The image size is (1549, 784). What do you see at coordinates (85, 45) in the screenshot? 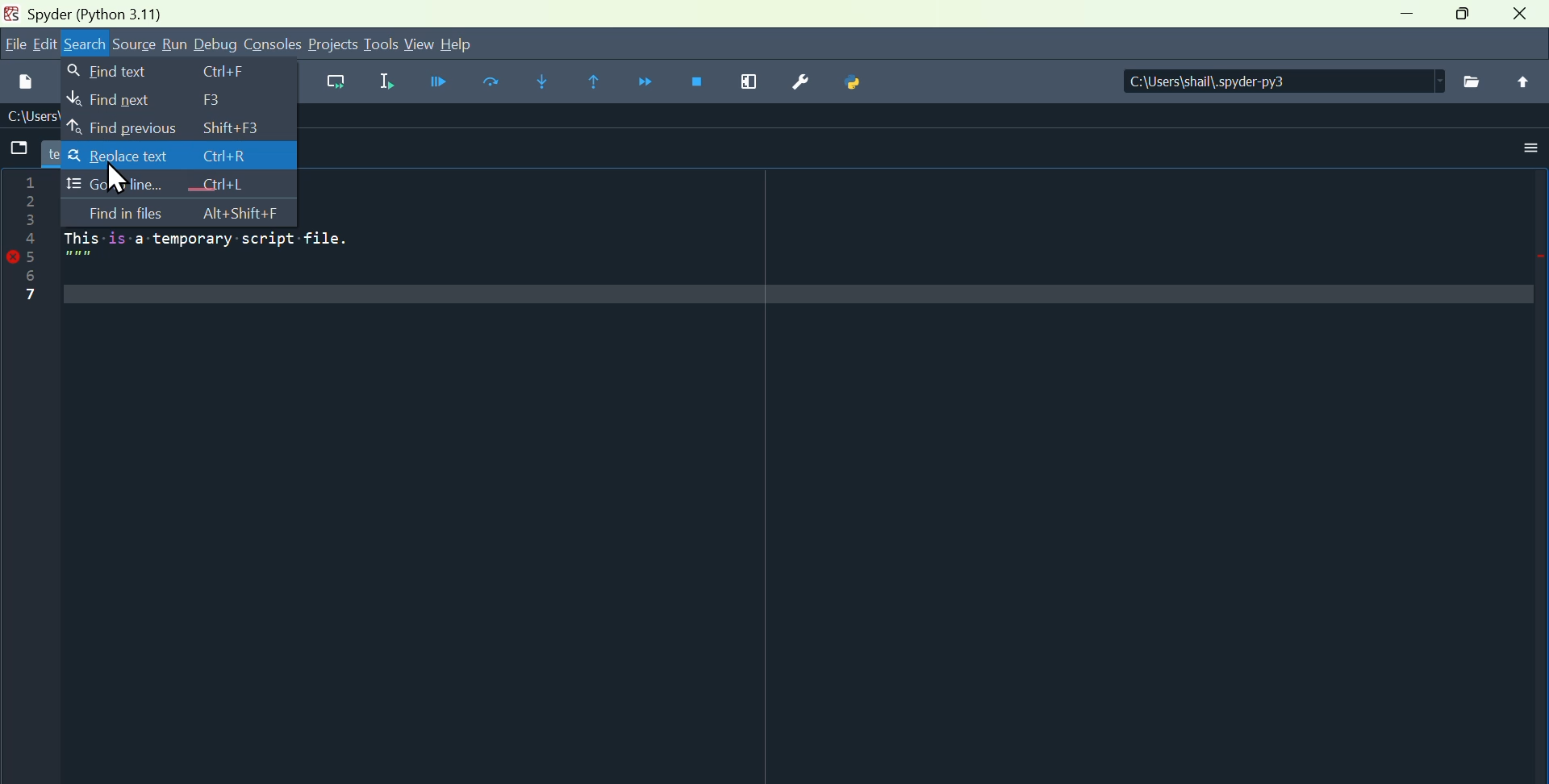
I see `Search` at bounding box center [85, 45].